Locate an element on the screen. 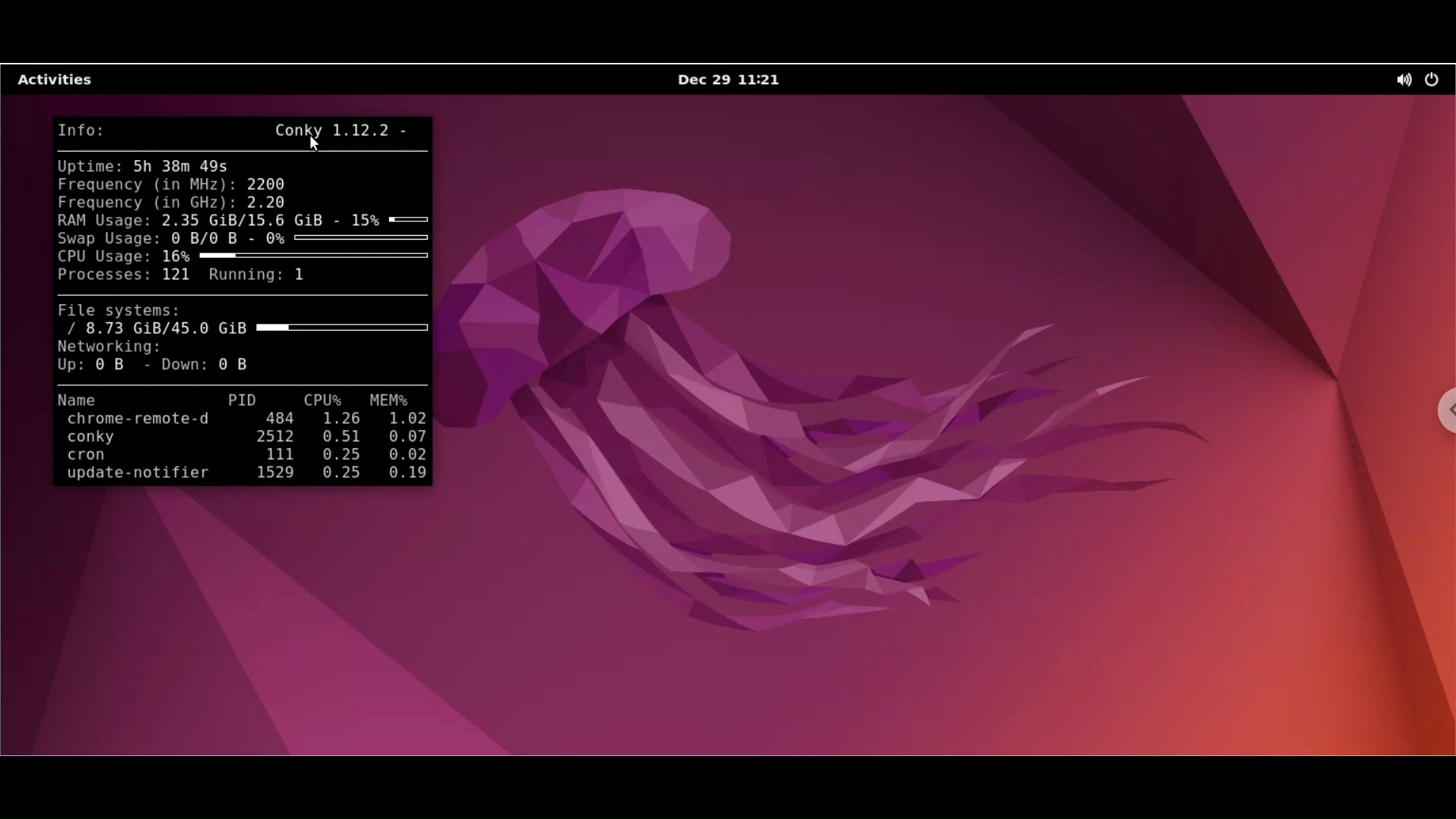 The width and height of the screenshot is (1456, 819). 0.25 is located at coordinates (335, 475).